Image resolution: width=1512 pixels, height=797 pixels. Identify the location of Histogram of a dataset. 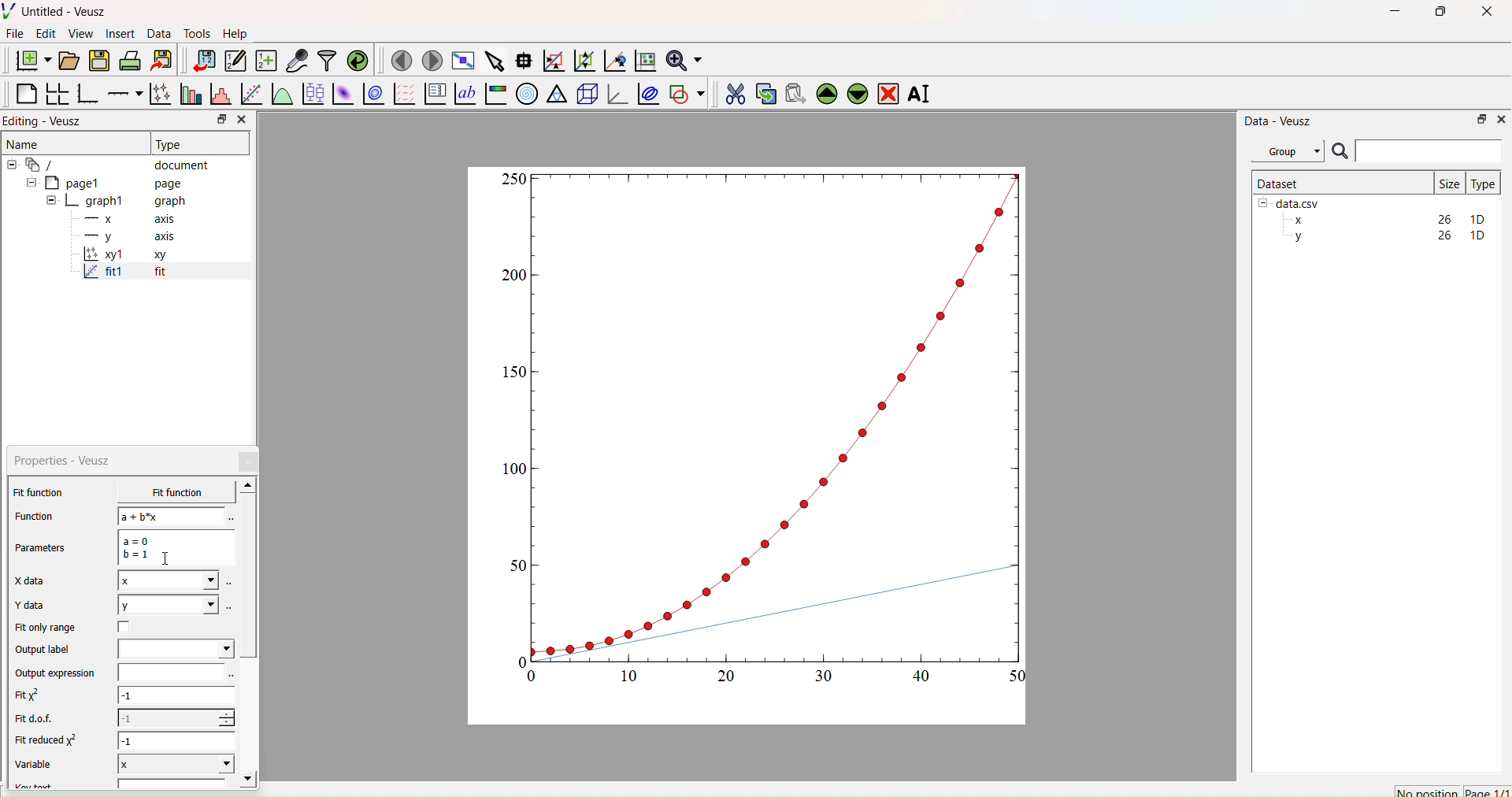
(217, 96).